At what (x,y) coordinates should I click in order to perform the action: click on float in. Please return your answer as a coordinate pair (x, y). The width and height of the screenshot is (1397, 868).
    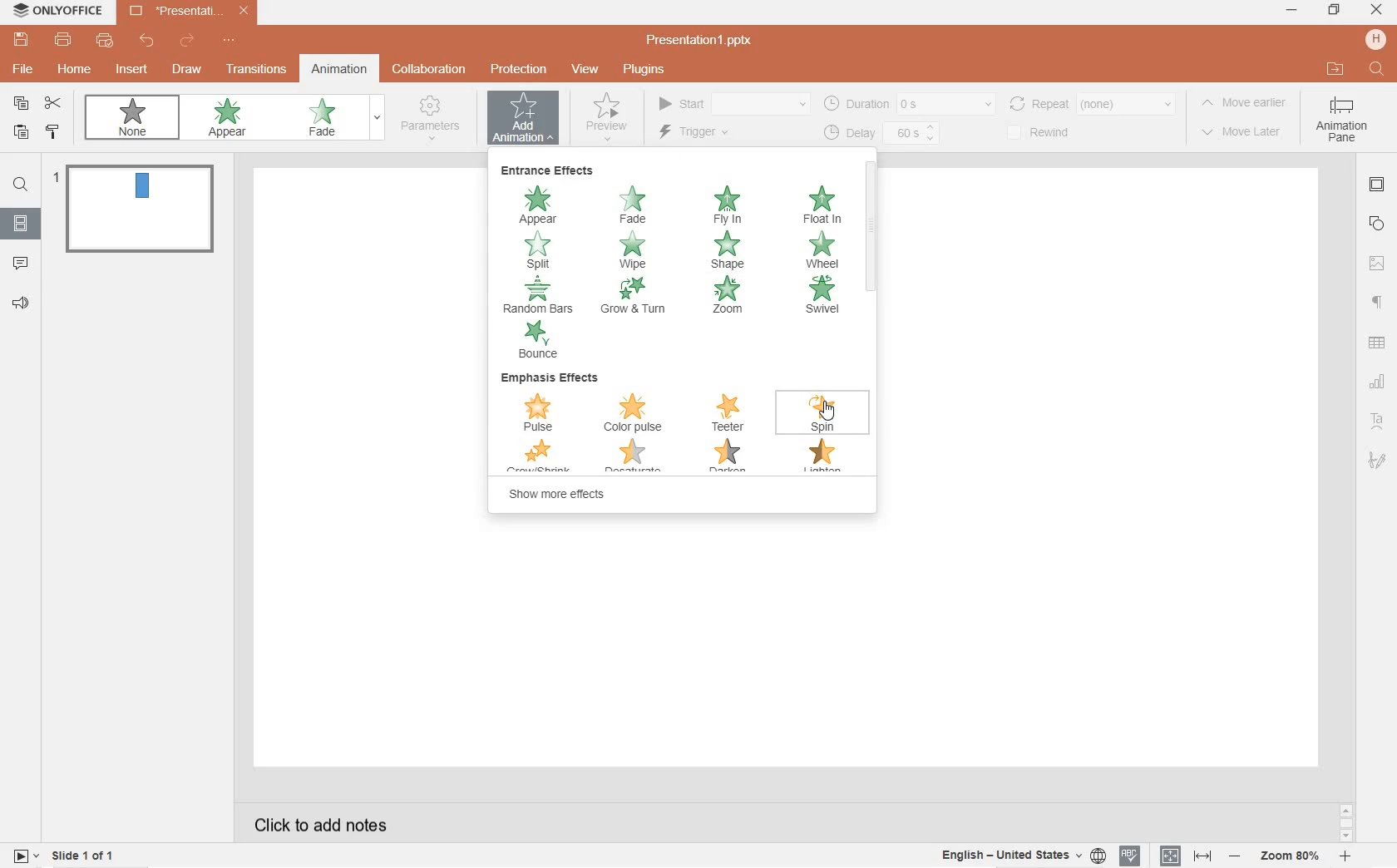
    Looking at the image, I should click on (822, 204).